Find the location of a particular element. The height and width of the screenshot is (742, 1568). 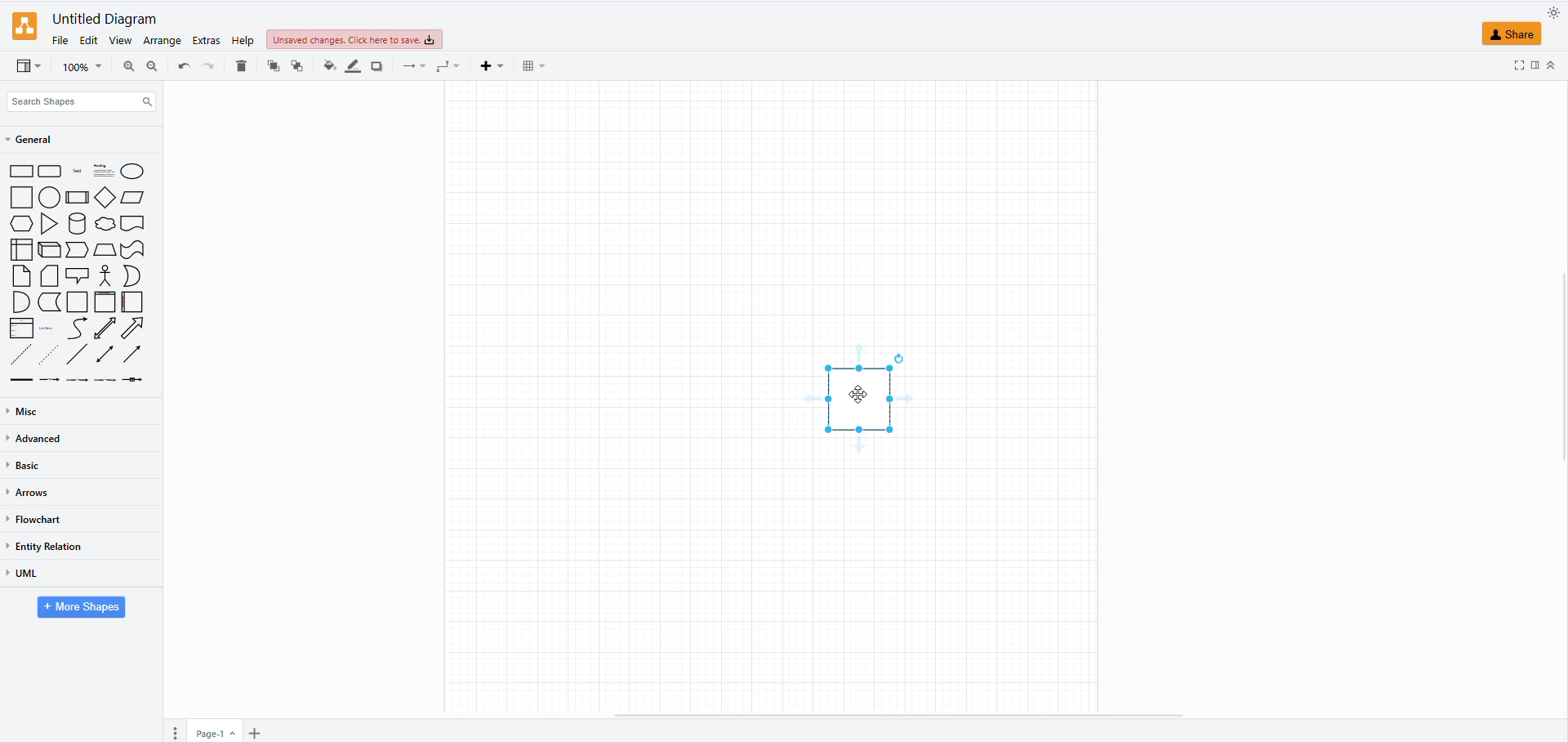

undo is located at coordinates (207, 65).